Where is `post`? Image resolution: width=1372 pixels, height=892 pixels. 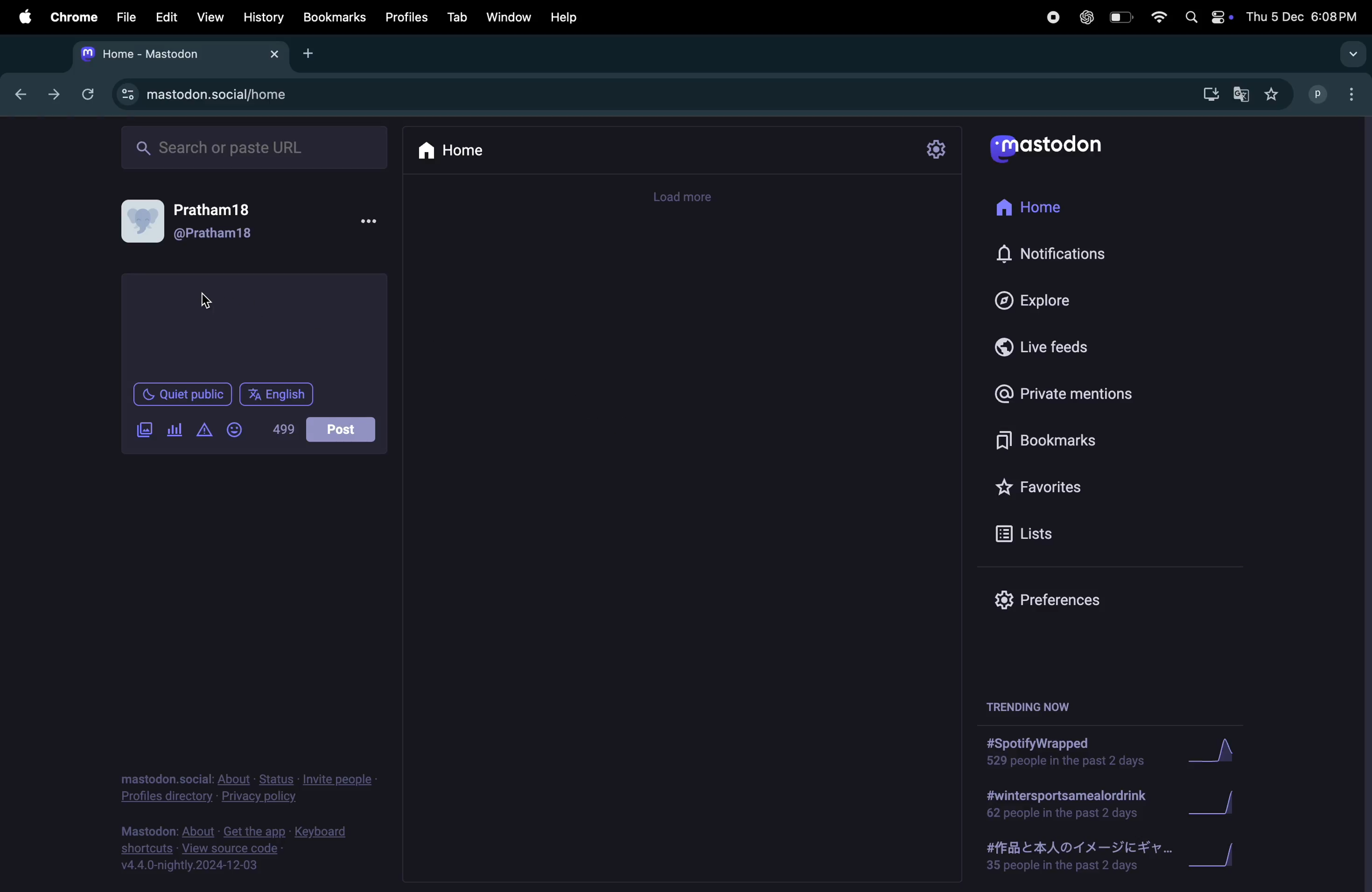 post is located at coordinates (344, 428).